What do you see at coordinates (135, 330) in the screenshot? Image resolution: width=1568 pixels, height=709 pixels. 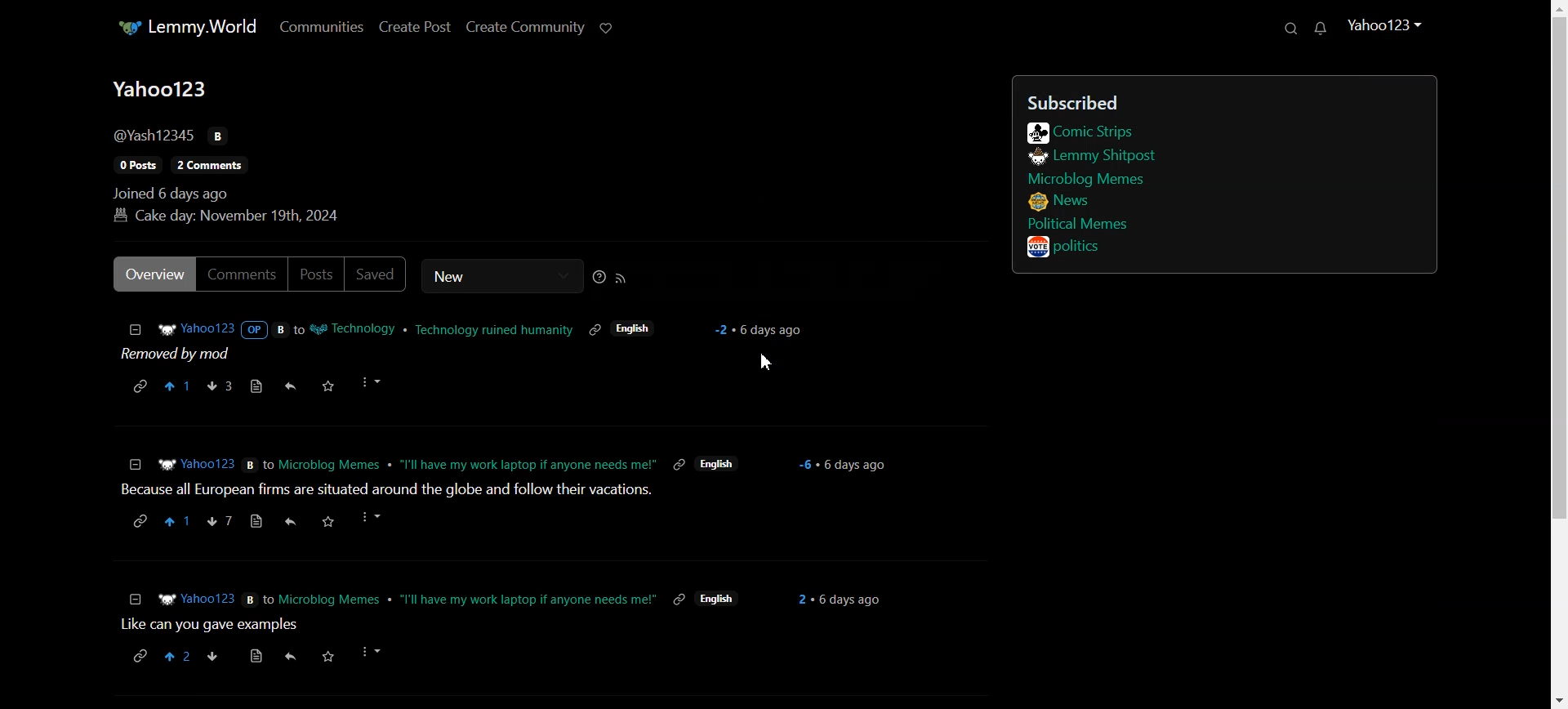 I see `Collapse` at bounding box center [135, 330].